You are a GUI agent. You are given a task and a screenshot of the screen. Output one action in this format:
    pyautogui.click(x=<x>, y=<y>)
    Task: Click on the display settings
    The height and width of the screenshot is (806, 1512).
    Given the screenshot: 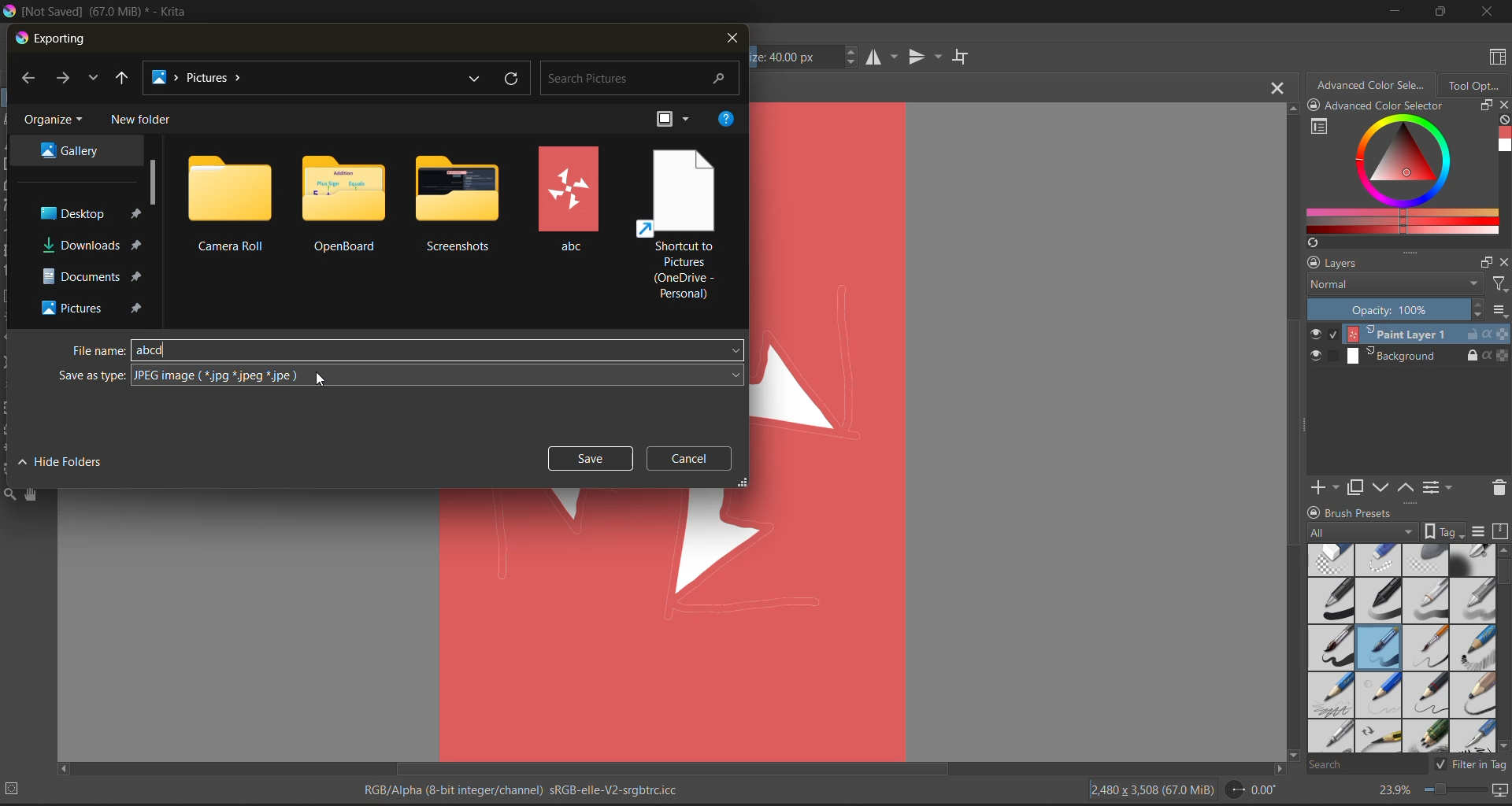 What is the action you would take?
    pyautogui.click(x=1481, y=532)
    